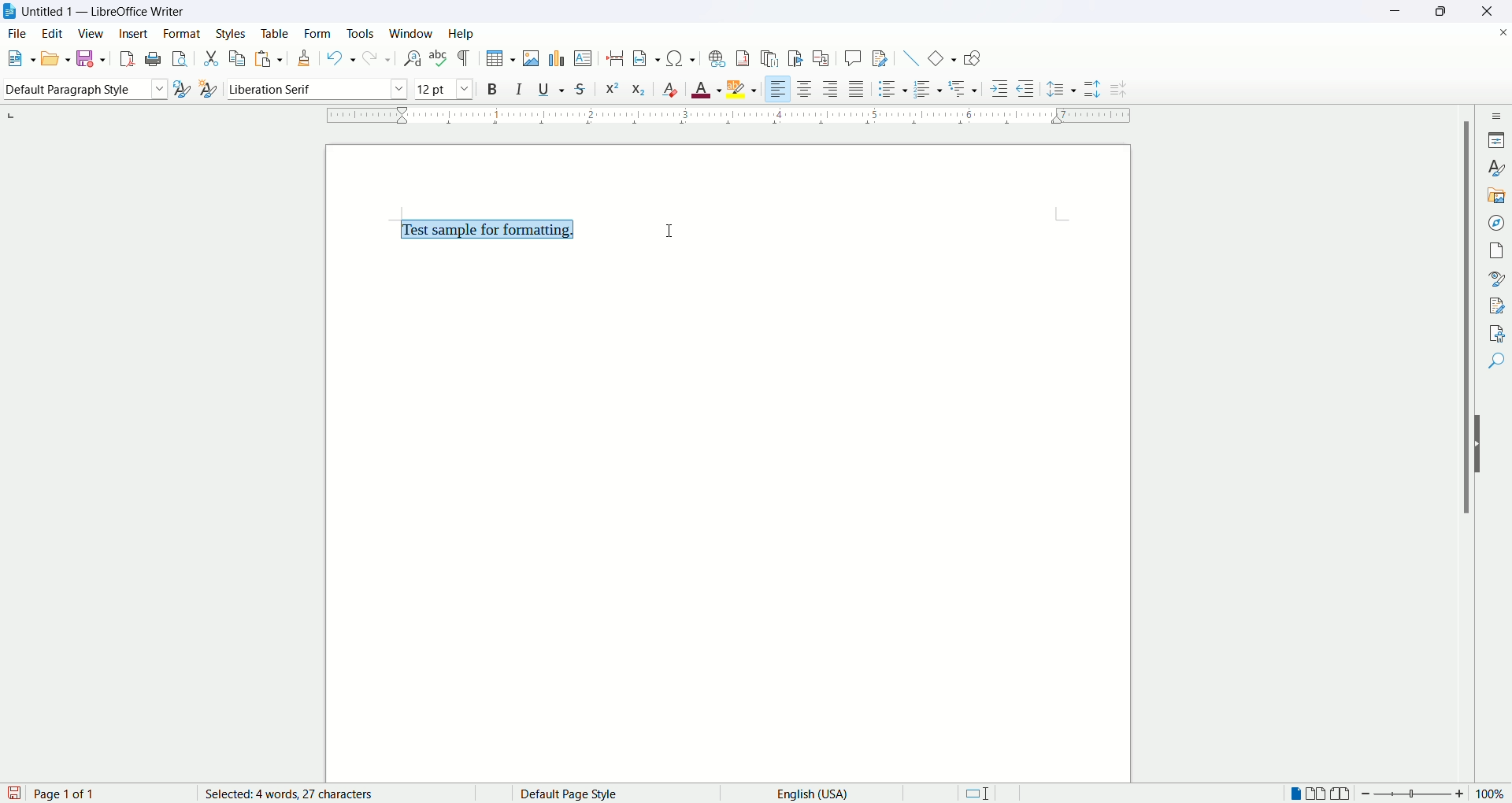 The width and height of the screenshot is (1512, 803). Describe the element at coordinates (185, 34) in the screenshot. I see `format` at that location.